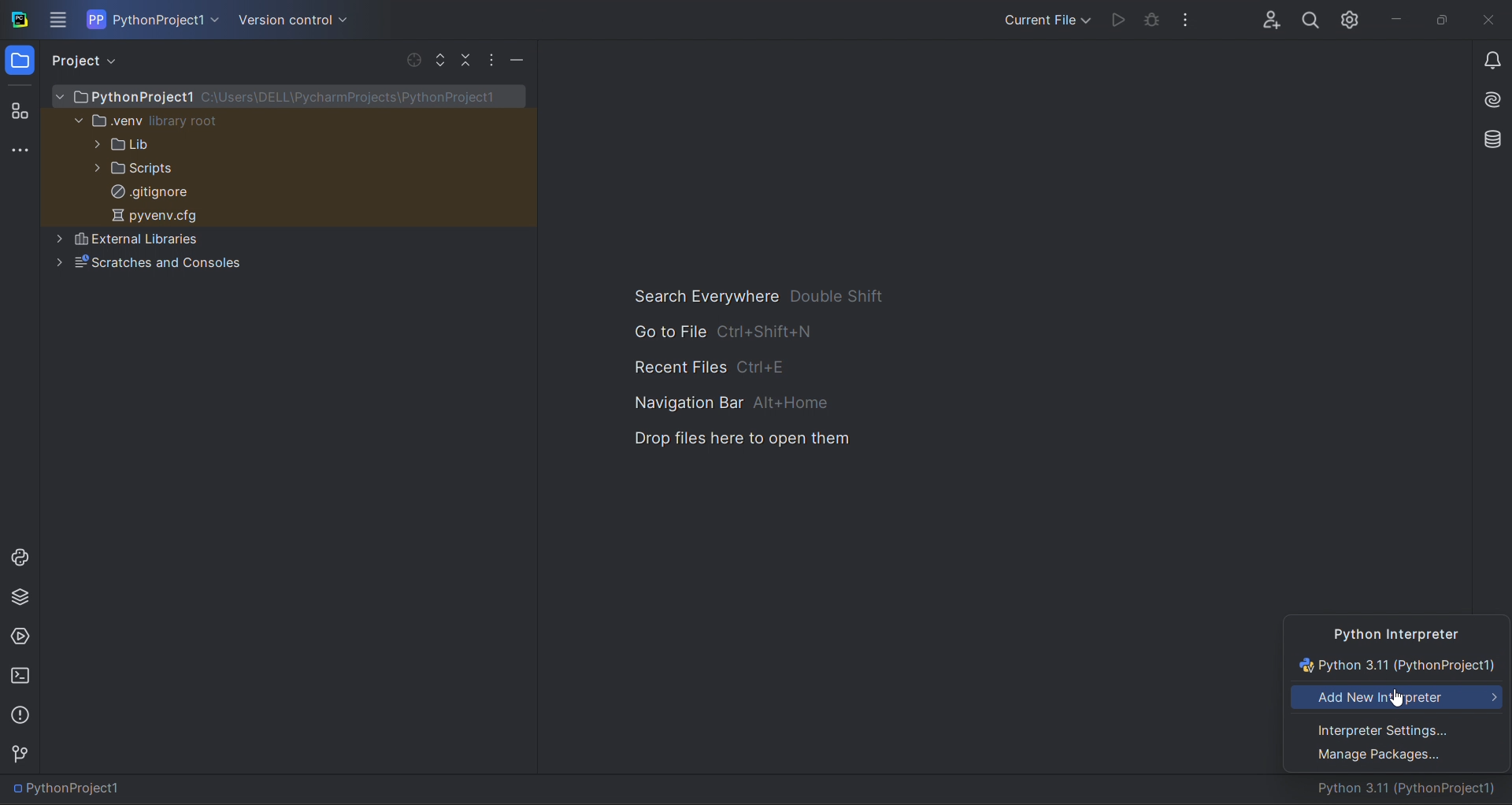  What do you see at coordinates (23, 714) in the screenshot?
I see `probleems` at bounding box center [23, 714].